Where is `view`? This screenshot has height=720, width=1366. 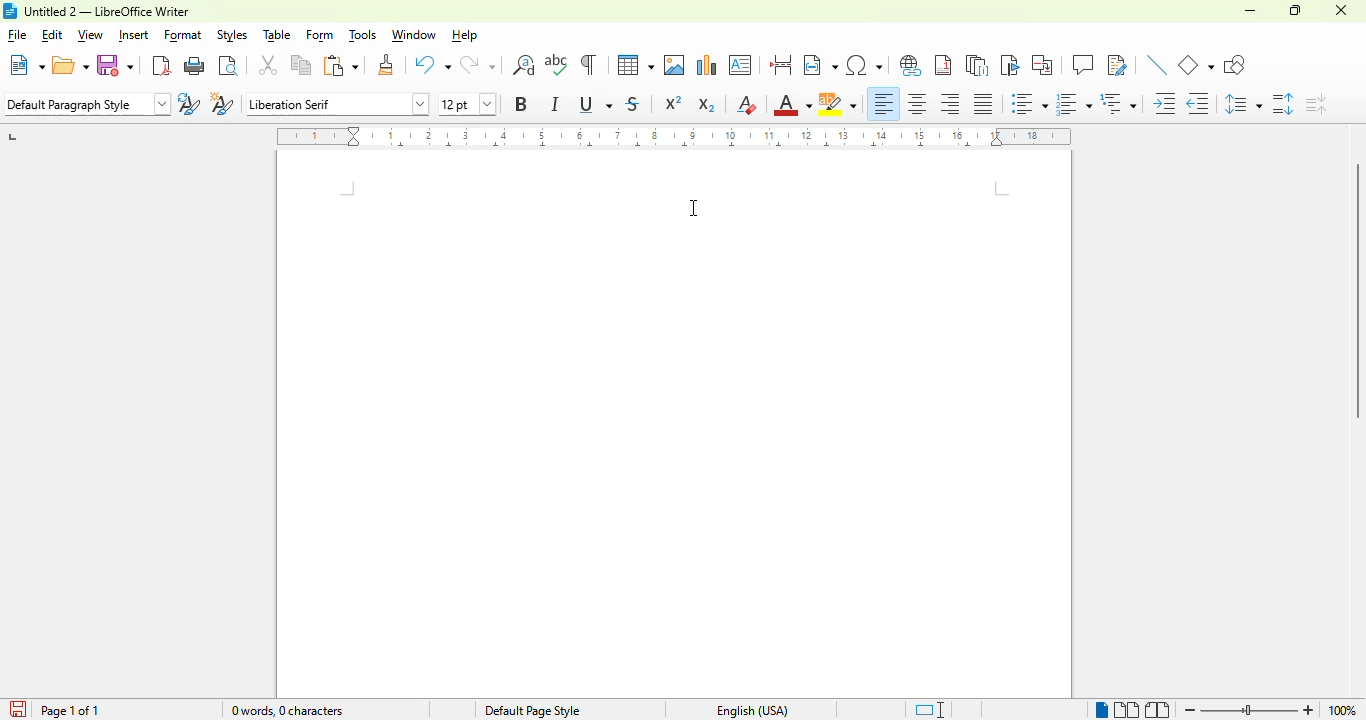 view is located at coordinates (90, 34).